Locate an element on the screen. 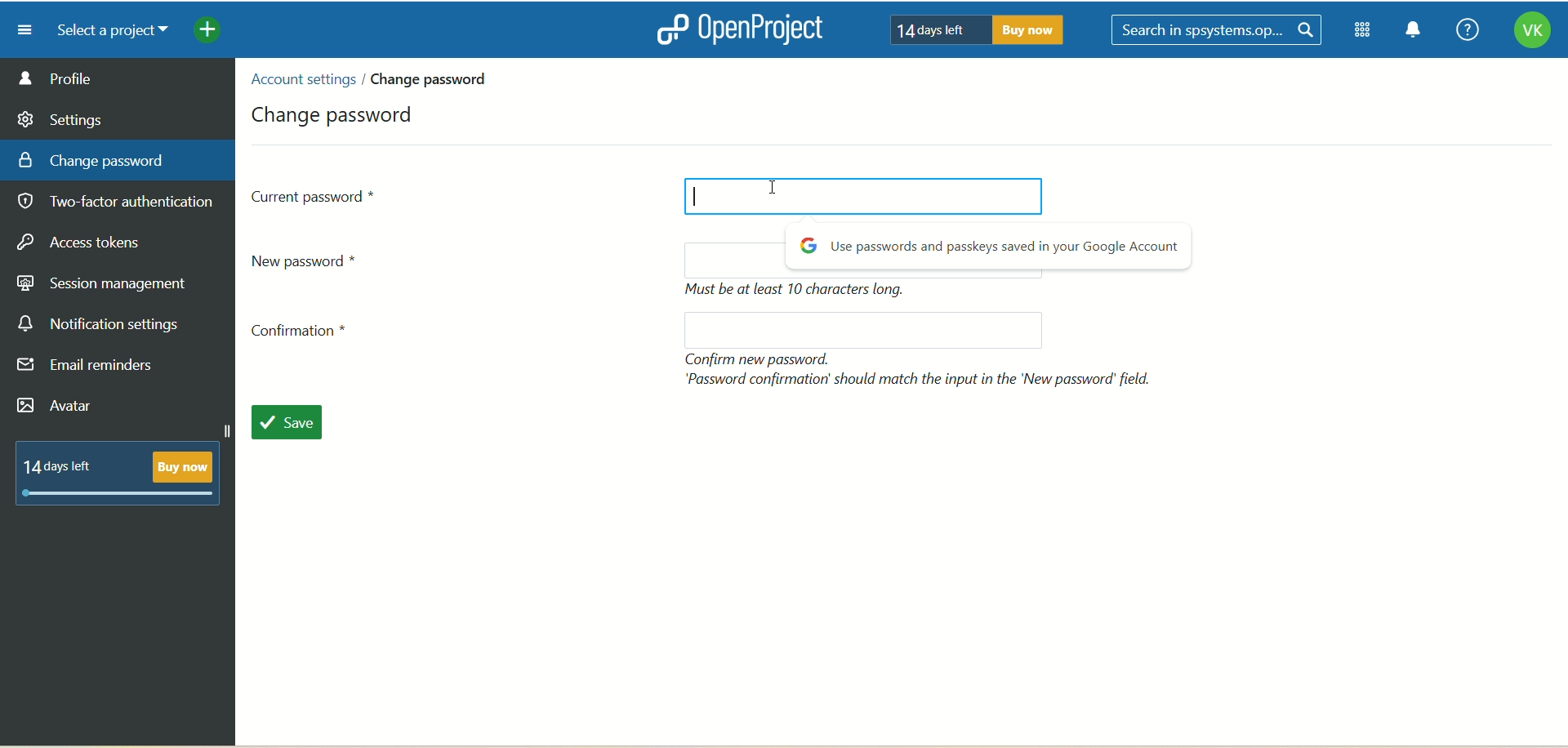 This screenshot has width=1568, height=748. notification settings is located at coordinates (99, 324).